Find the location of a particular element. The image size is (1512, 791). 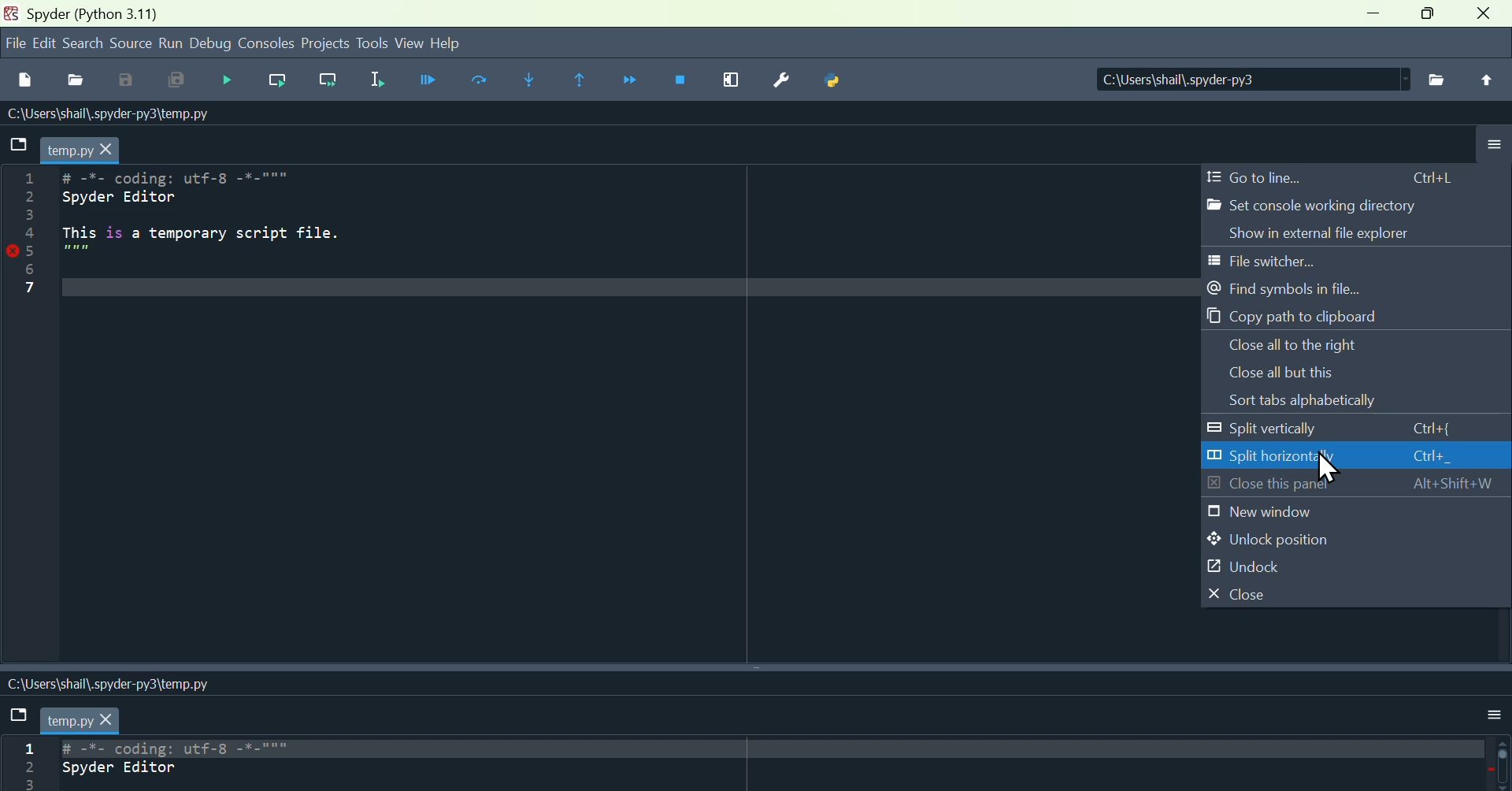

Run current line is located at coordinates (278, 86).